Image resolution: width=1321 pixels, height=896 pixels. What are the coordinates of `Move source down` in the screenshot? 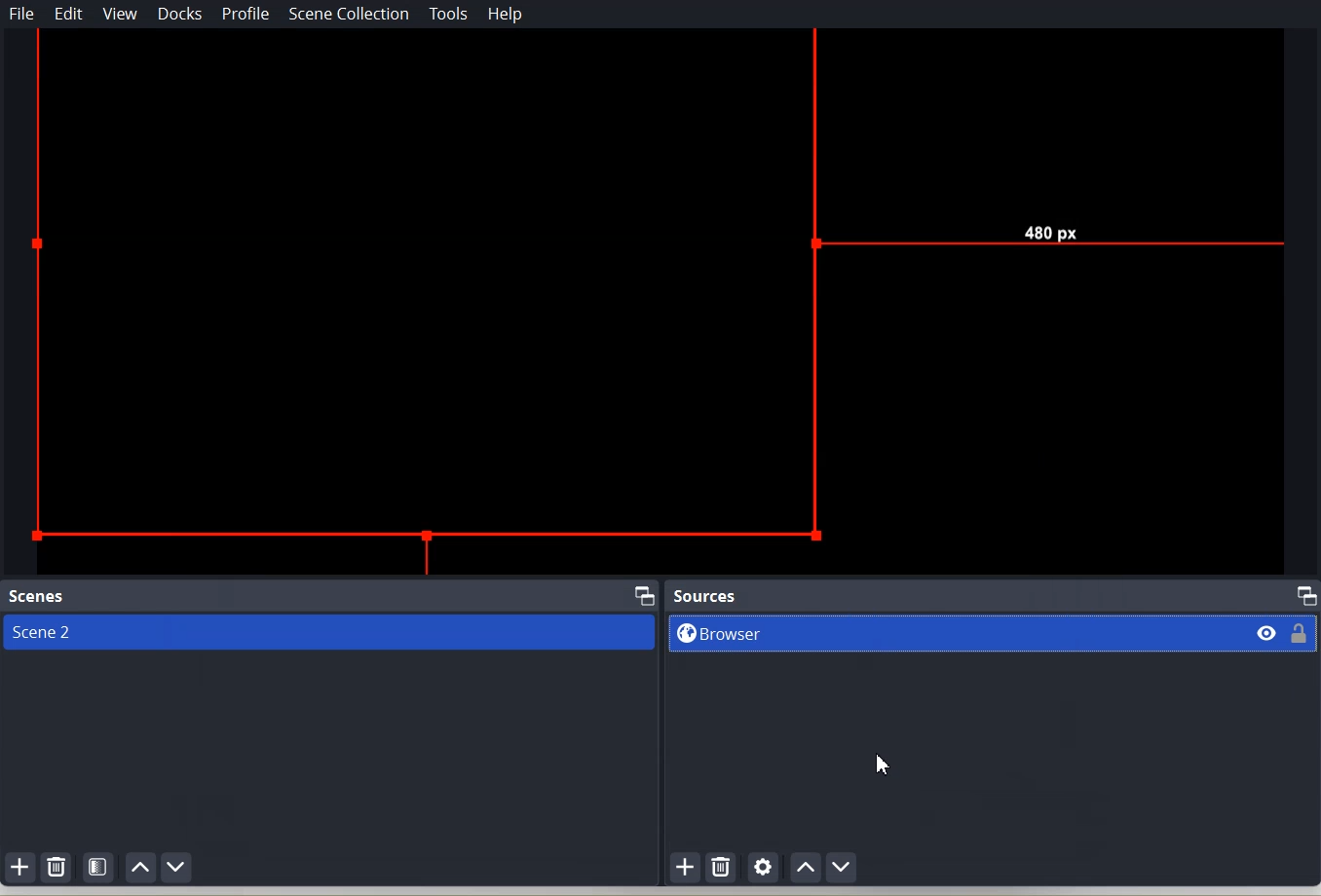 It's located at (843, 867).